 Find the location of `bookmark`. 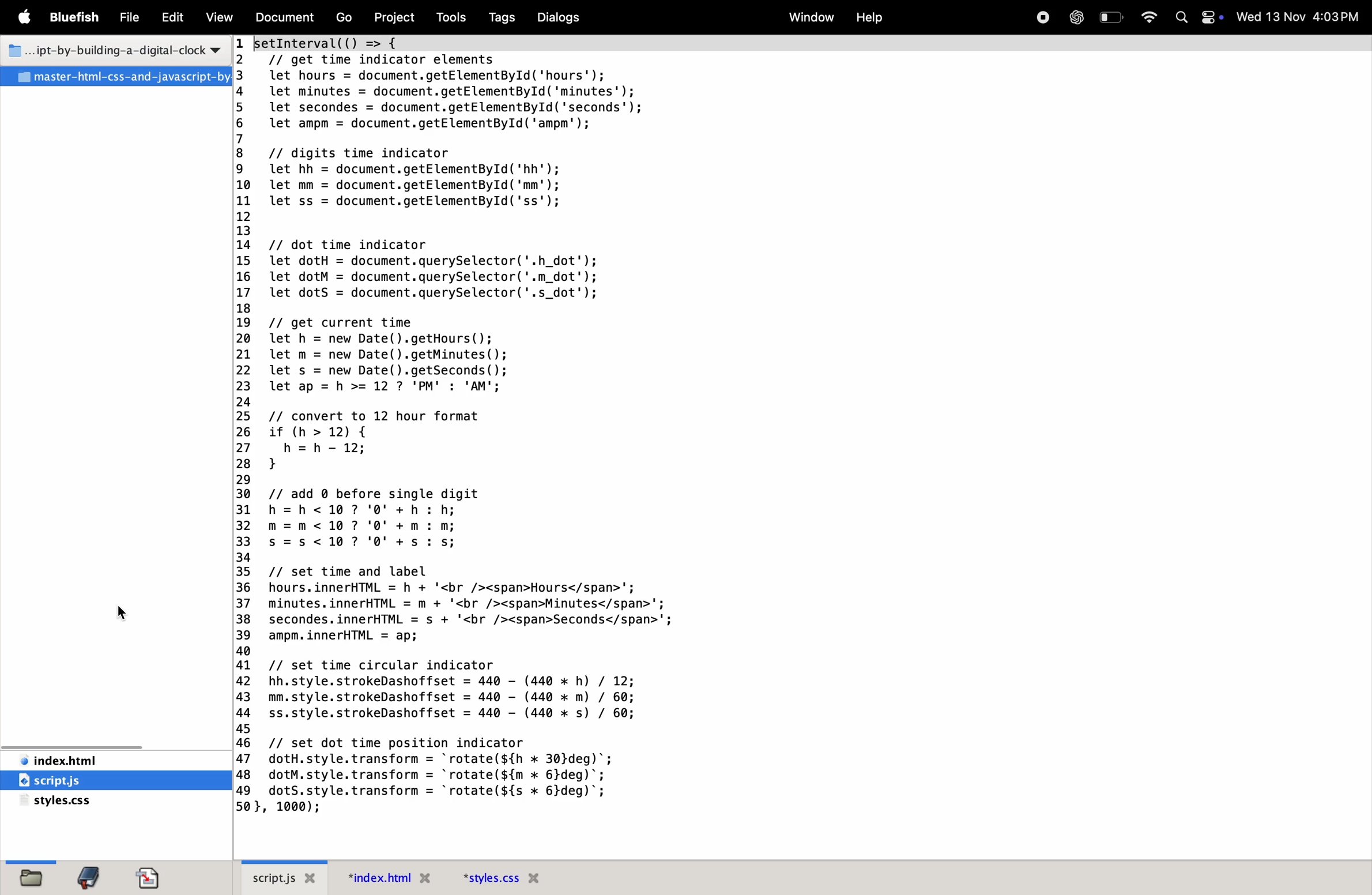

bookmark is located at coordinates (88, 877).